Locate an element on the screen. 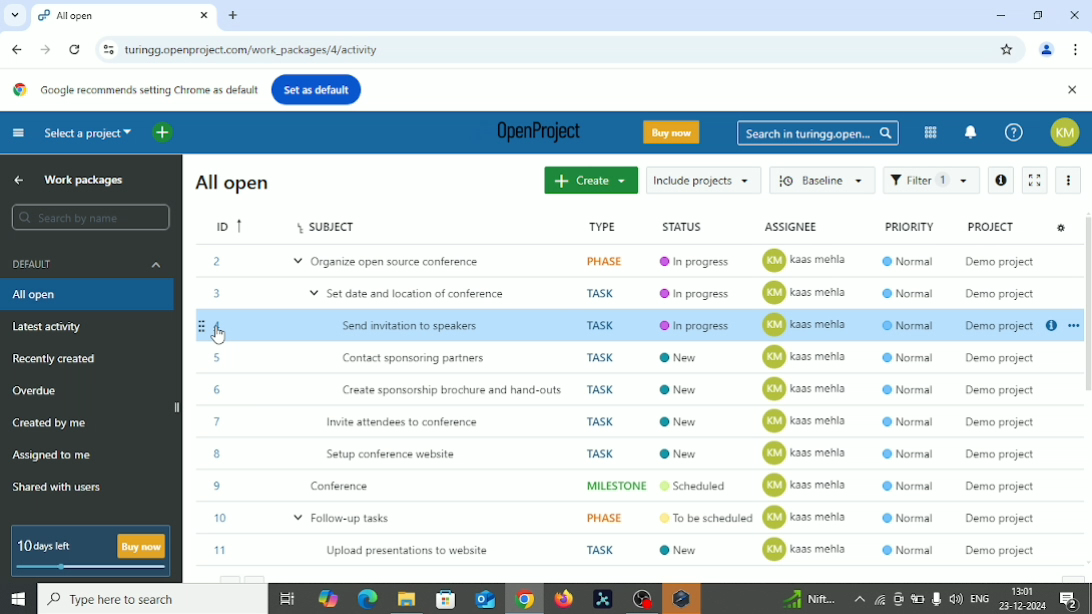 The height and width of the screenshot is (614, 1092). Recently created is located at coordinates (55, 360).